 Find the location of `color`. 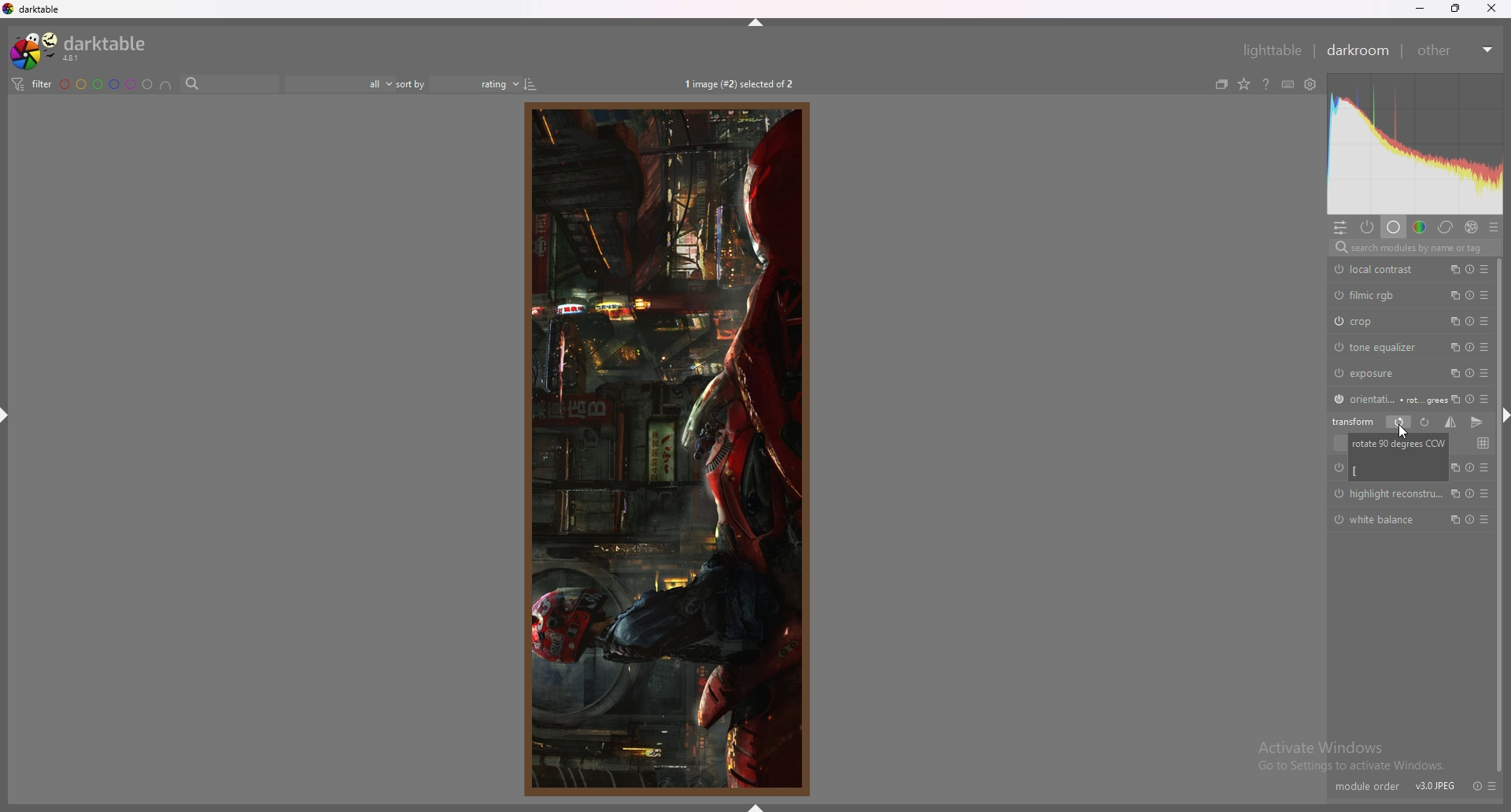

color is located at coordinates (1420, 228).